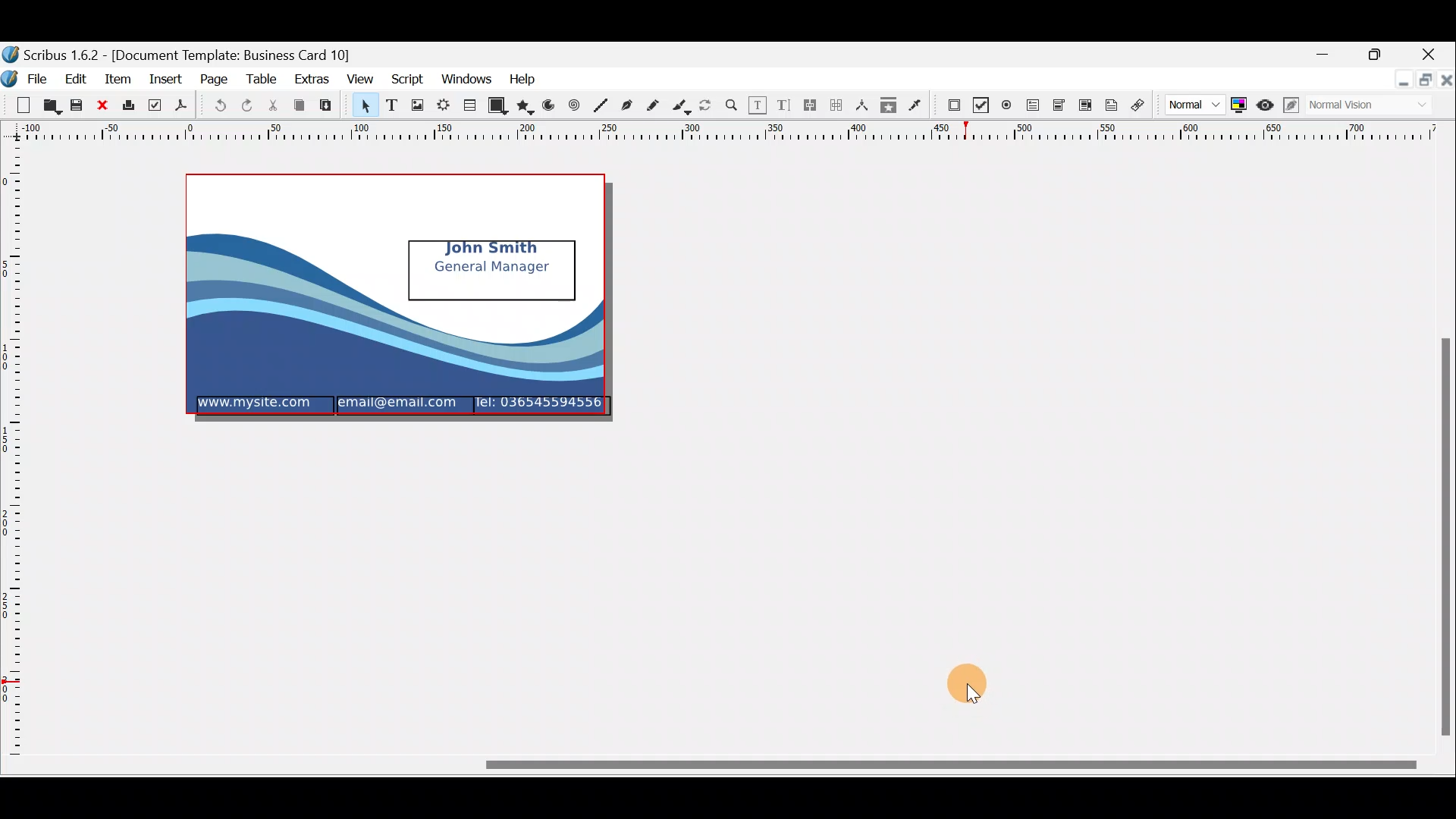 The width and height of the screenshot is (1456, 819). What do you see at coordinates (116, 80) in the screenshot?
I see `Item` at bounding box center [116, 80].